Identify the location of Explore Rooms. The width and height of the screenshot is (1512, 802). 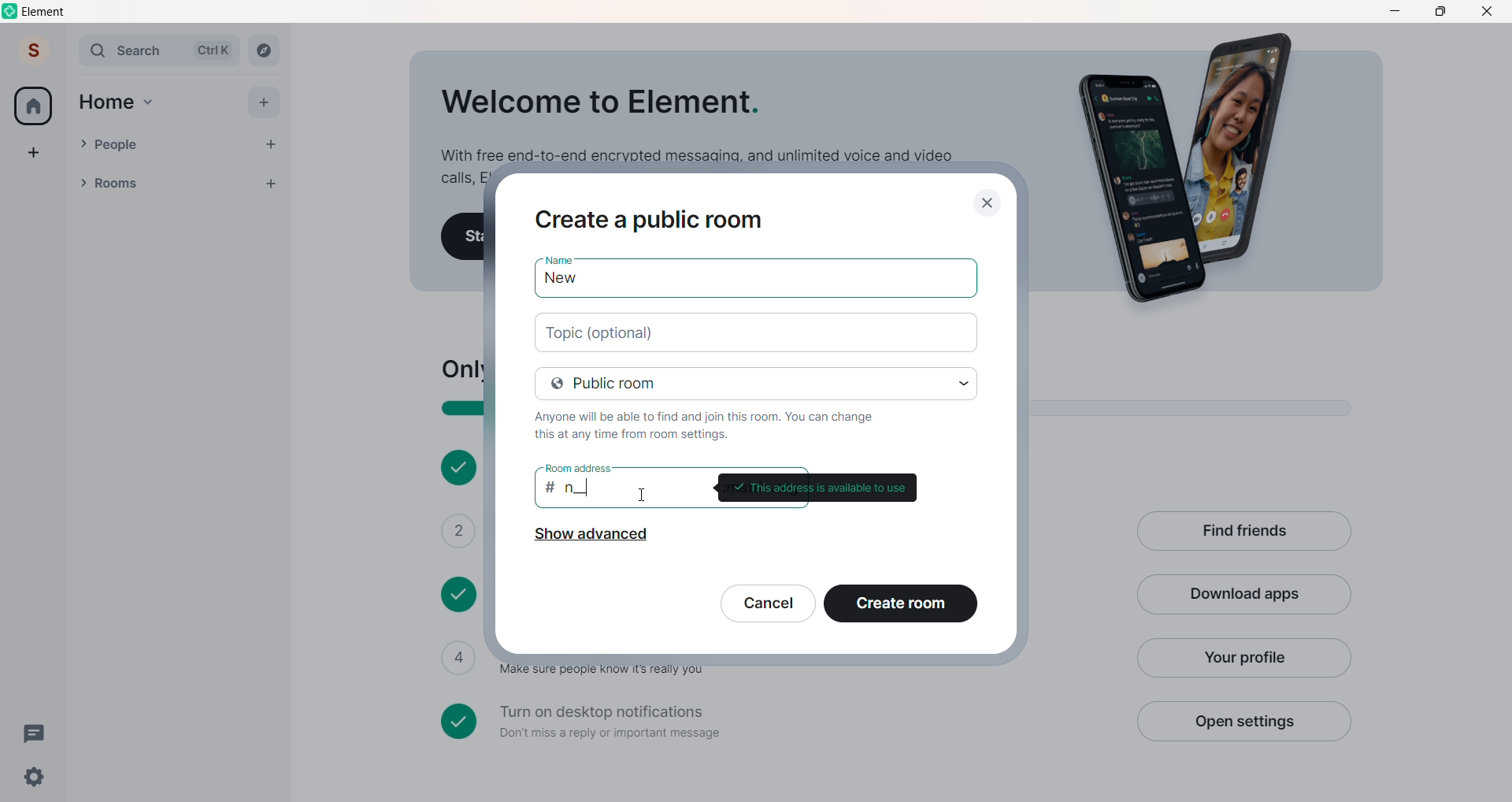
(265, 50).